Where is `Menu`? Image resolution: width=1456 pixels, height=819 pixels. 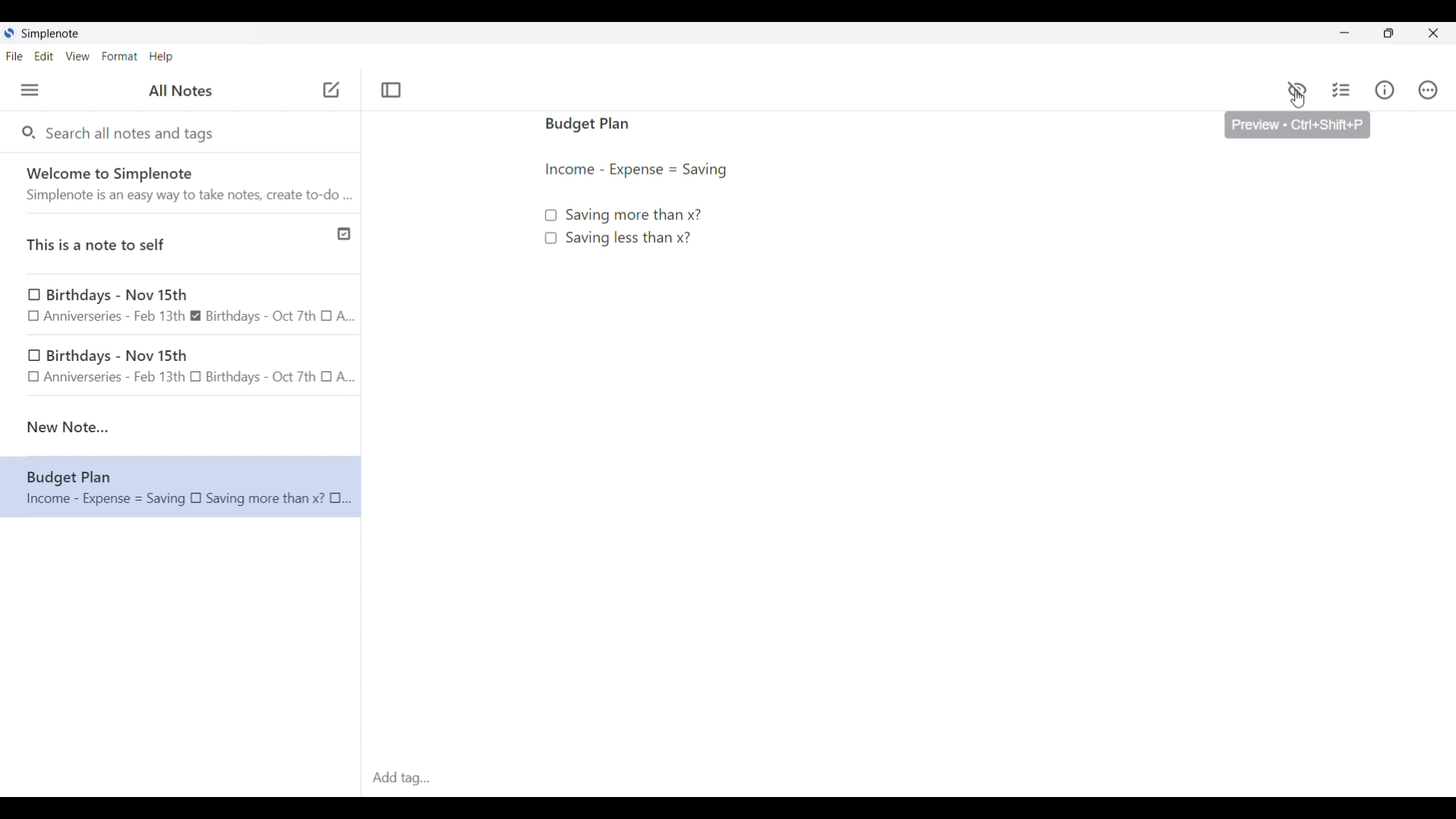
Menu is located at coordinates (30, 89).